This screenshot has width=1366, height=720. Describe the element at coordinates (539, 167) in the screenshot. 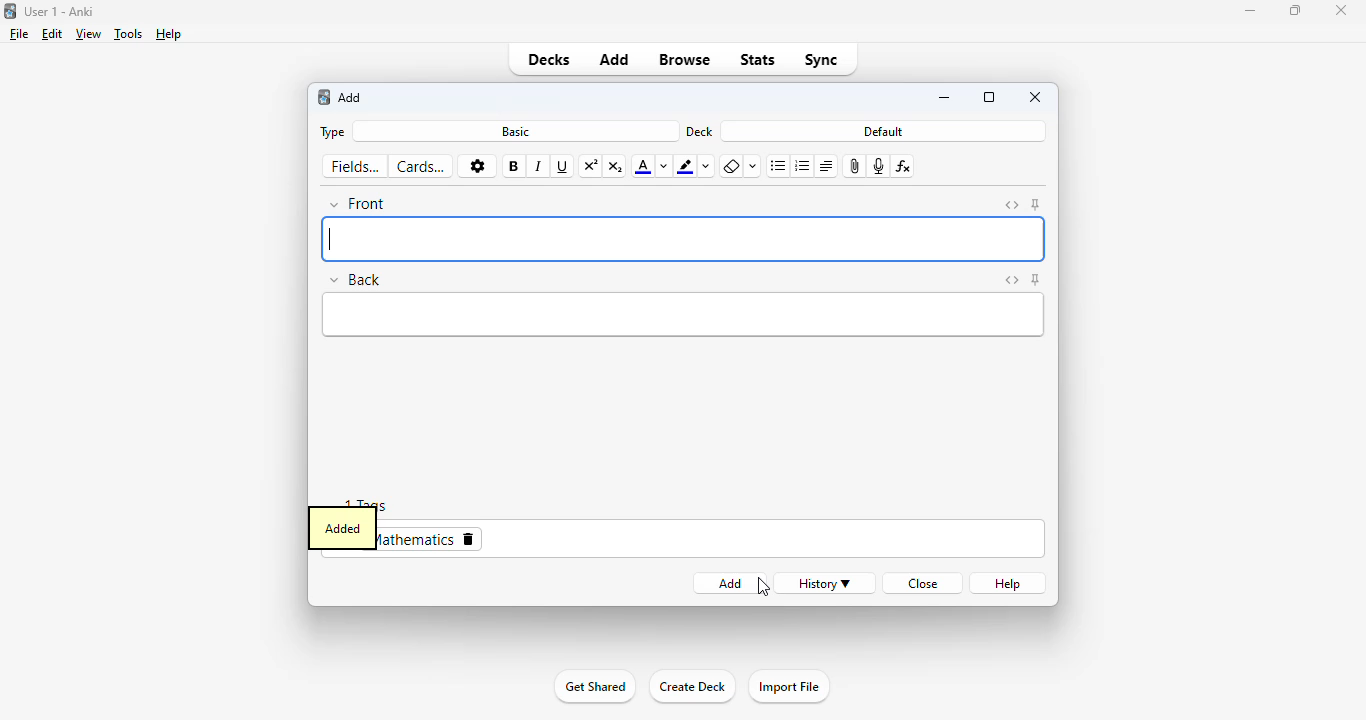

I see `italic` at that location.